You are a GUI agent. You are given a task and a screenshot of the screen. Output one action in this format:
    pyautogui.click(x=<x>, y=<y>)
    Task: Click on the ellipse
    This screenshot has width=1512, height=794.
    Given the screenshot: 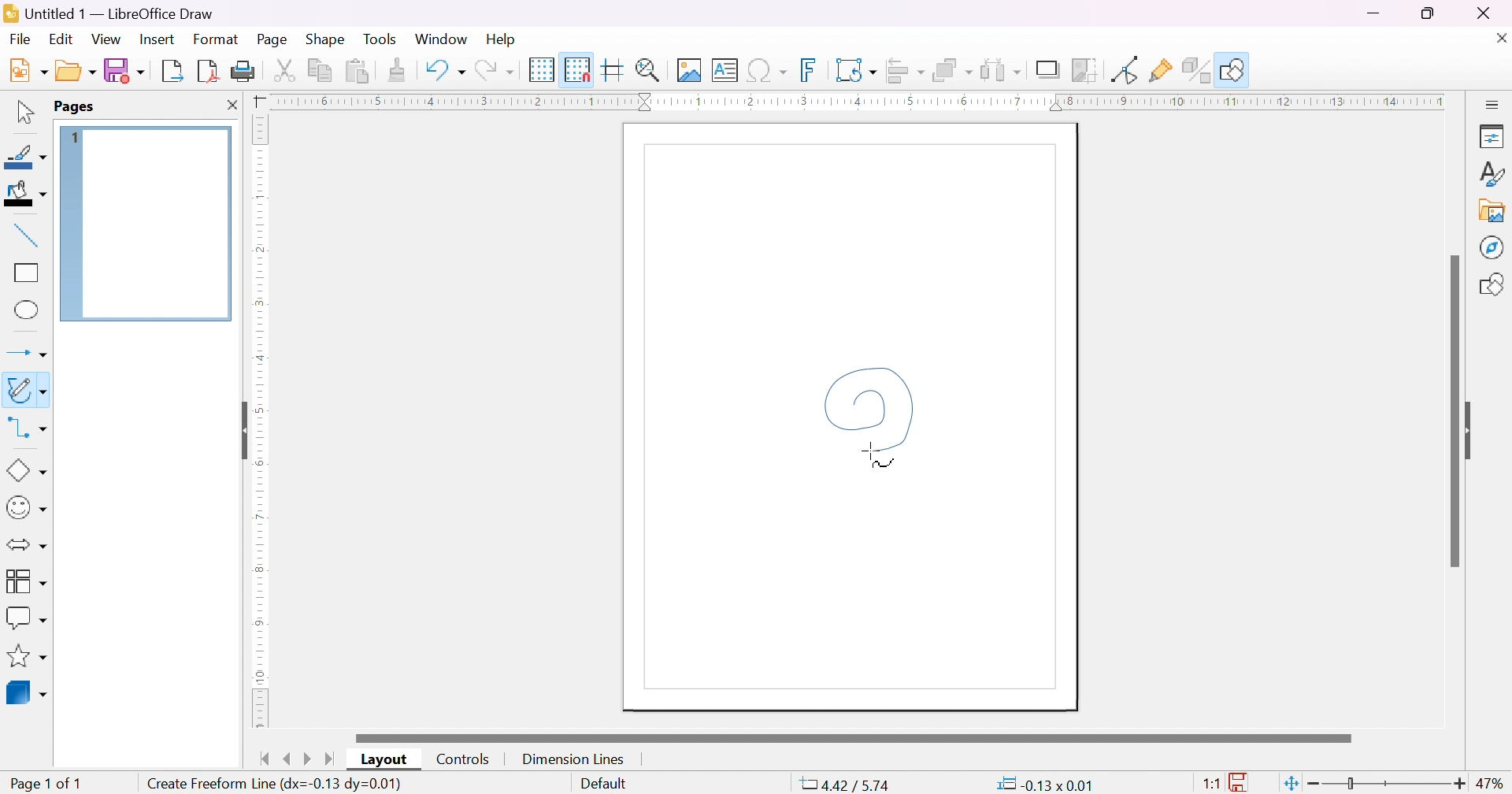 What is the action you would take?
    pyautogui.click(x=28, y=308)
    